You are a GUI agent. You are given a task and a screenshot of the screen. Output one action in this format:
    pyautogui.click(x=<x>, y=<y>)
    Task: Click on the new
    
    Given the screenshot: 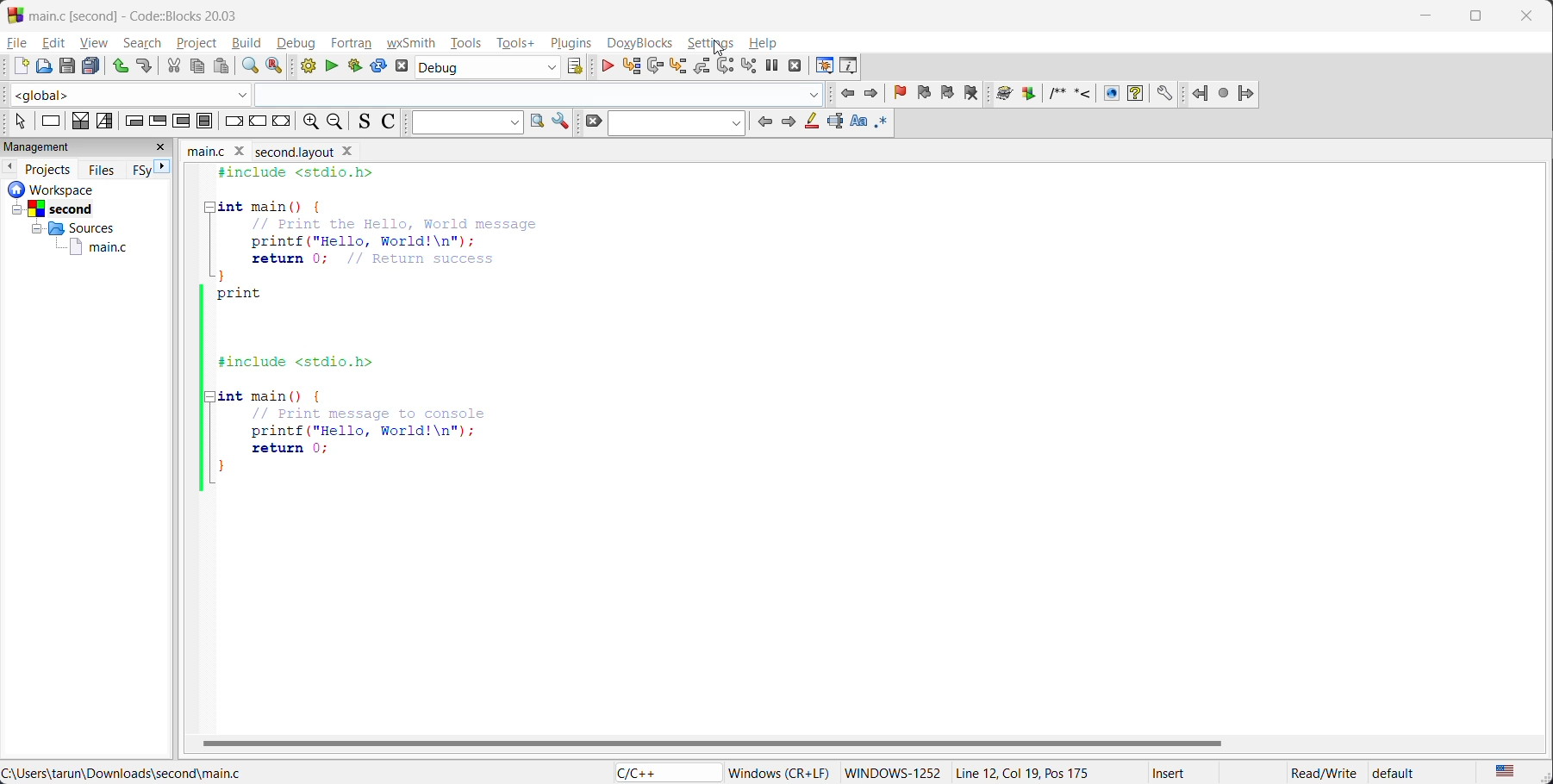 What is the action you would take?
    pyautogui.click(x=16, y=66)
    